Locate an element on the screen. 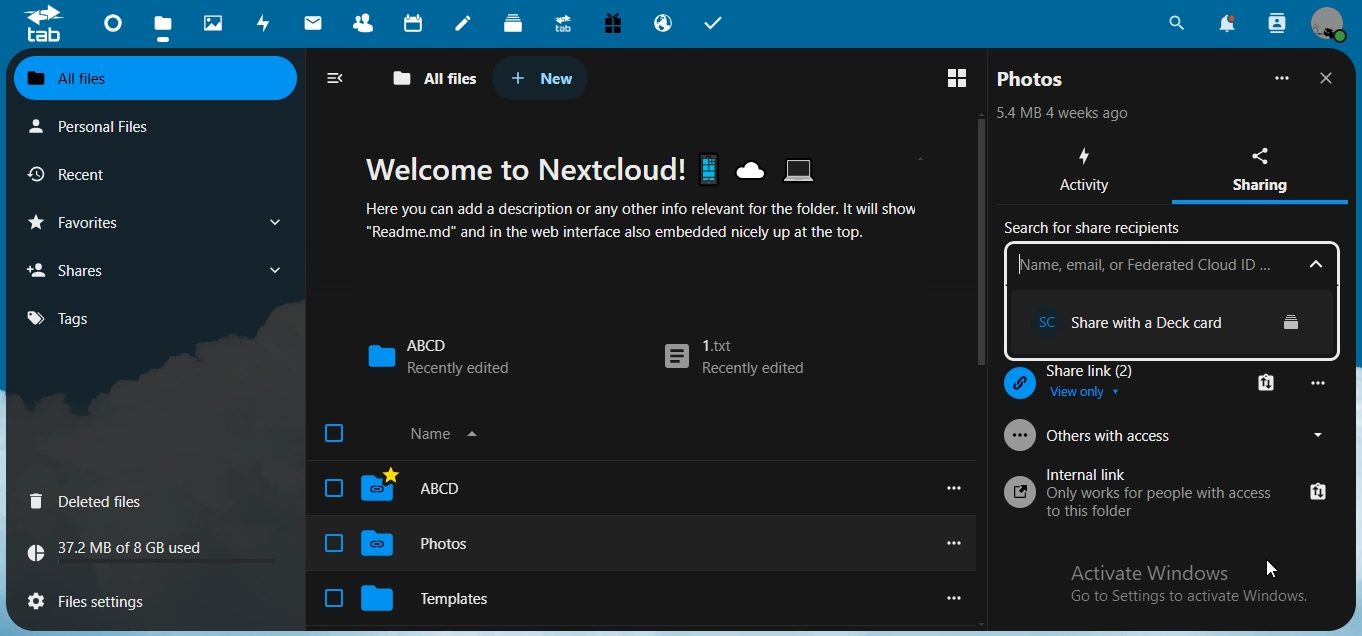  calendar is located at coordinates (416, 23).